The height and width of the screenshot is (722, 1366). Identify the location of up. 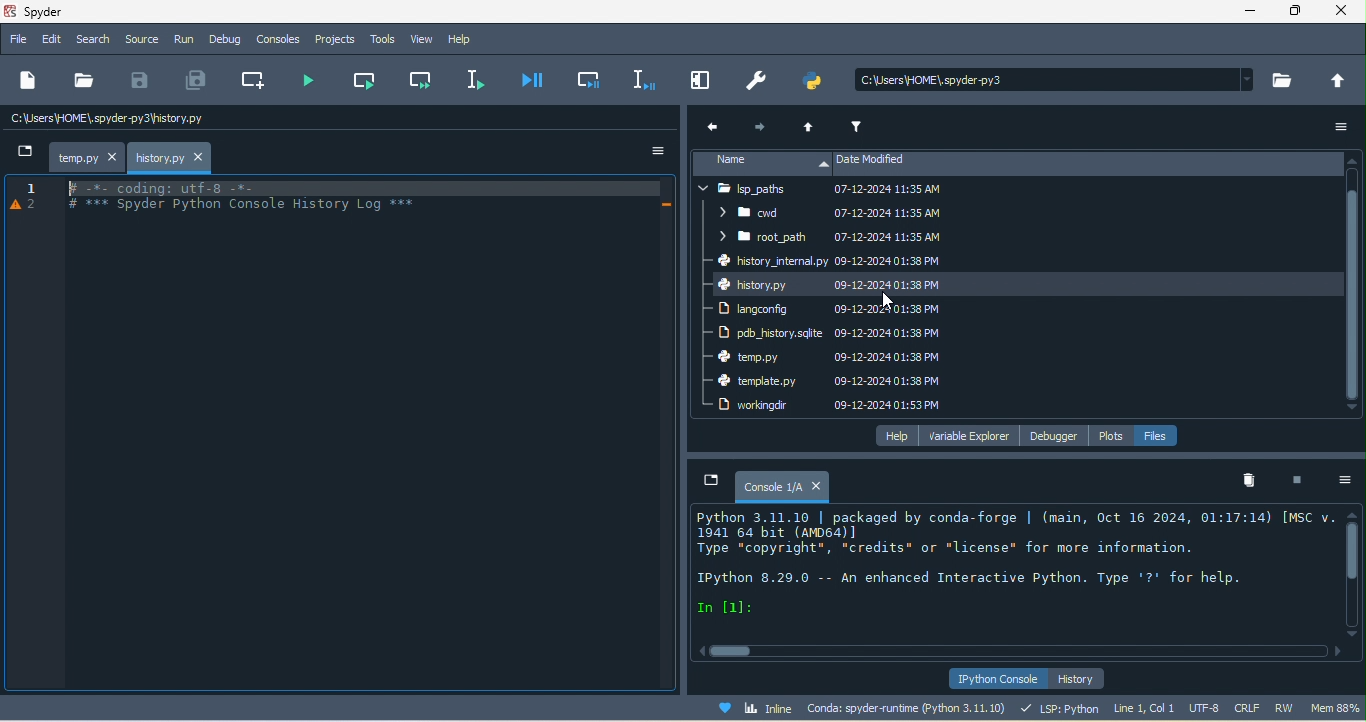
(812, 127).